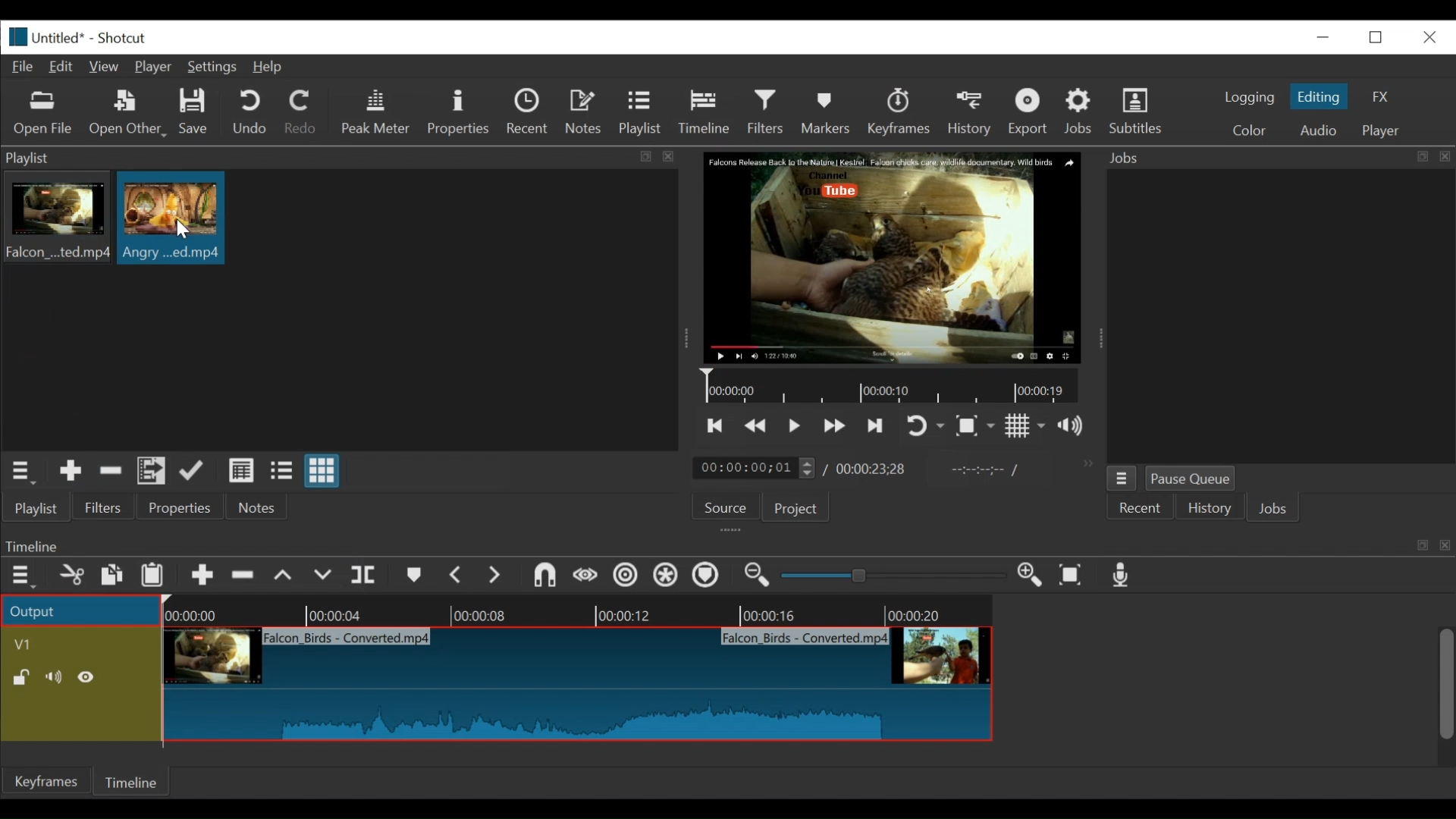  What do you see at coordinates (320, 472) in the screenshot?
I see `view as icons` at bounding box center [320, 472].